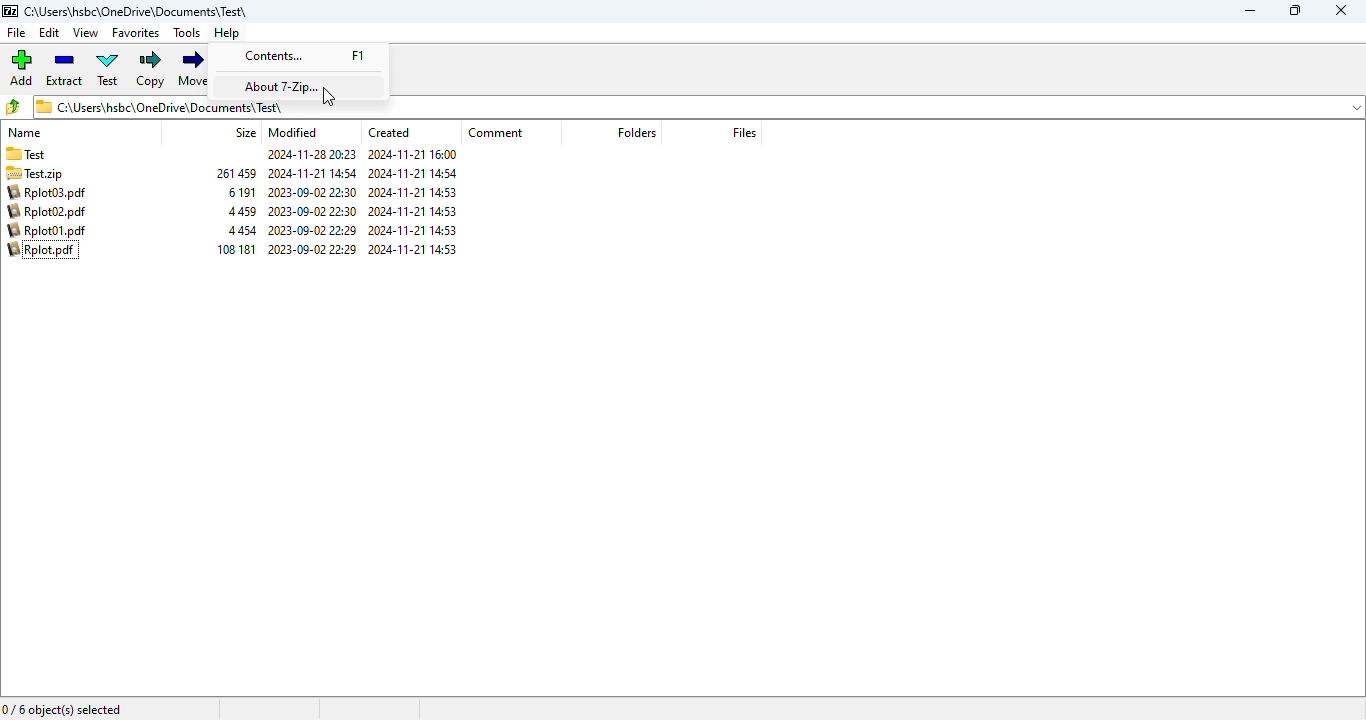  What do you see at coordinates (388, 132) in the screenshot?
I see `created` at bounding box center [388, 132].